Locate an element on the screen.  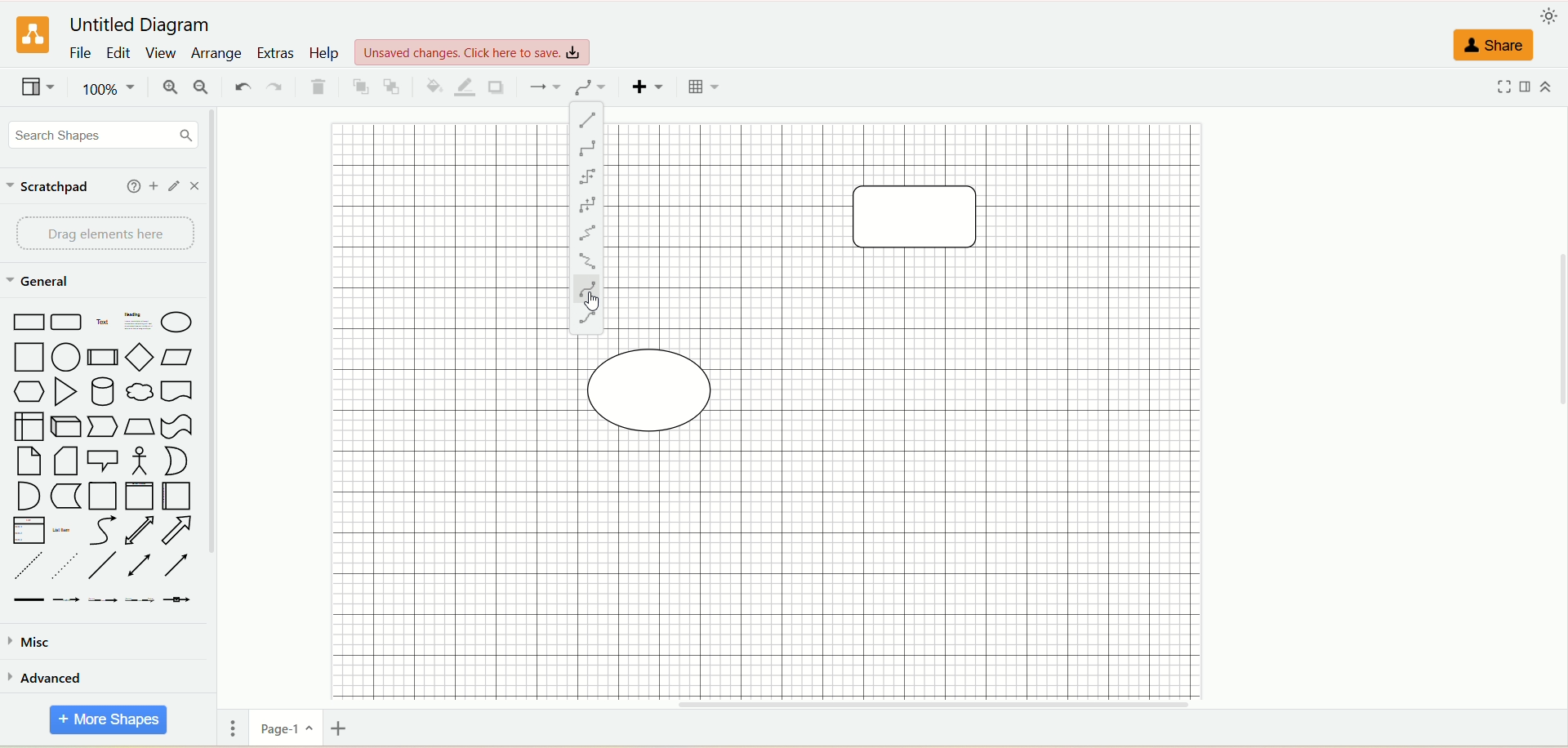
line color is located at coordinates (464, 85).